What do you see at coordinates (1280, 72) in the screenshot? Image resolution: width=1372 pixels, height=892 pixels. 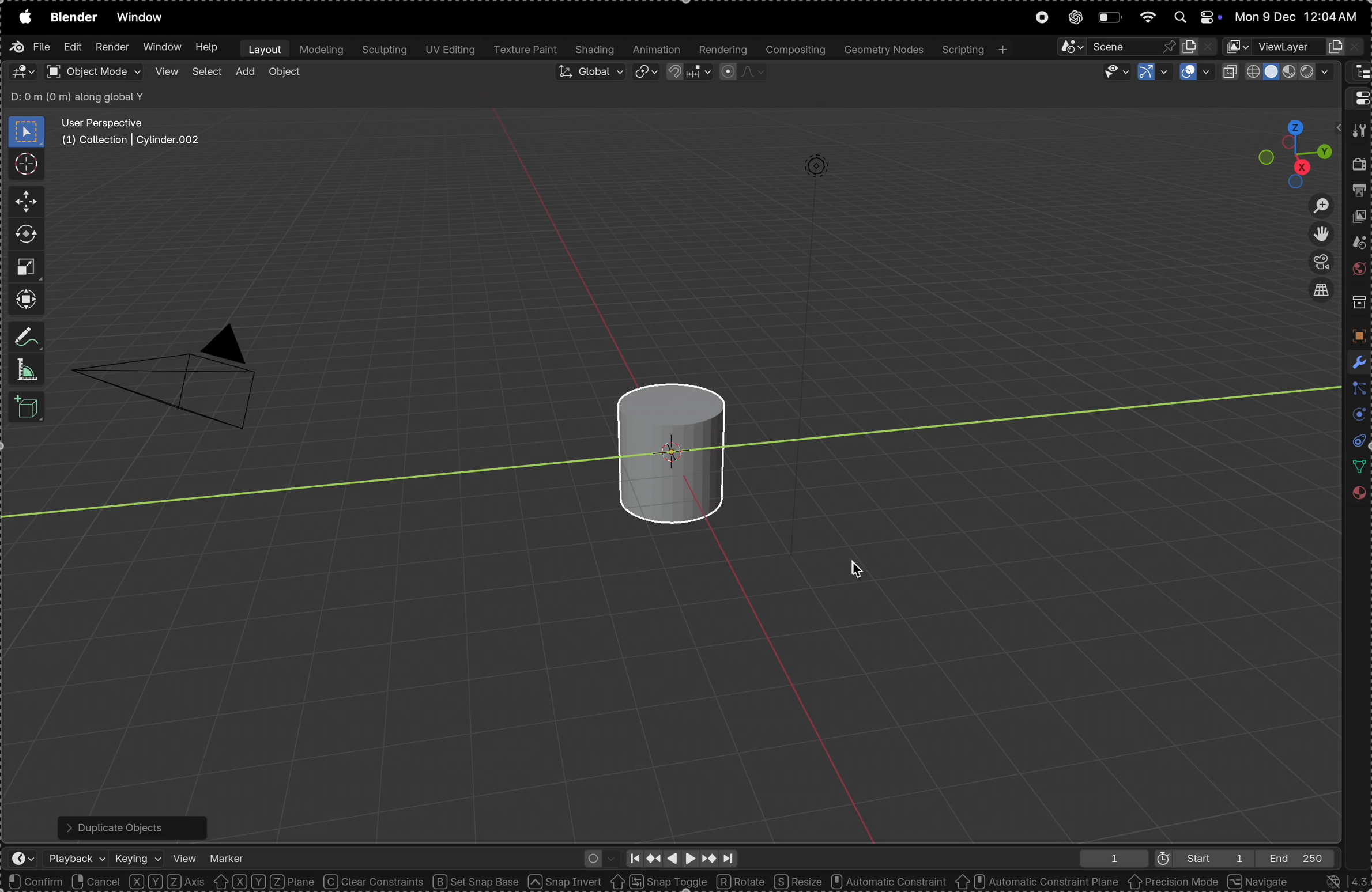 I see `view point shading` at bounding box center [1280, 72].